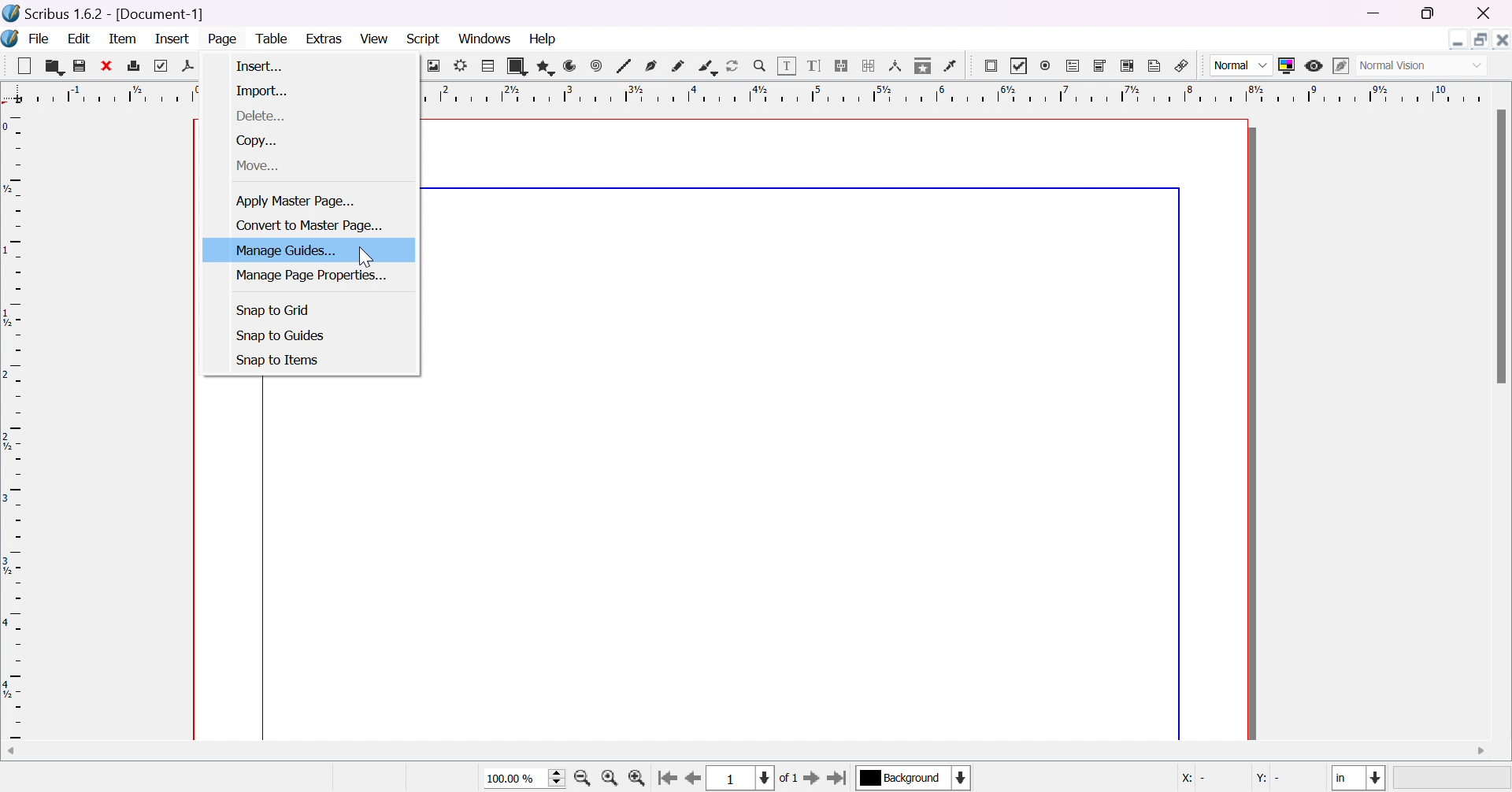  Describe the element at coordinates (275, 309) in the screenshot. I see `snap to grid` at that location.